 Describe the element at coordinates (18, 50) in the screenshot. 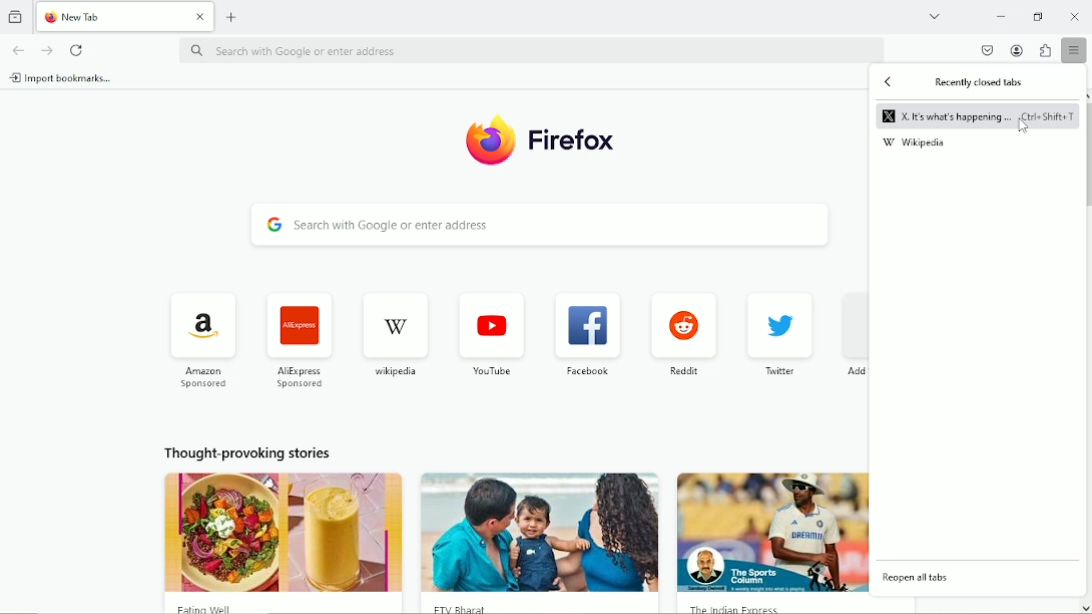

I see `go back` at that location.